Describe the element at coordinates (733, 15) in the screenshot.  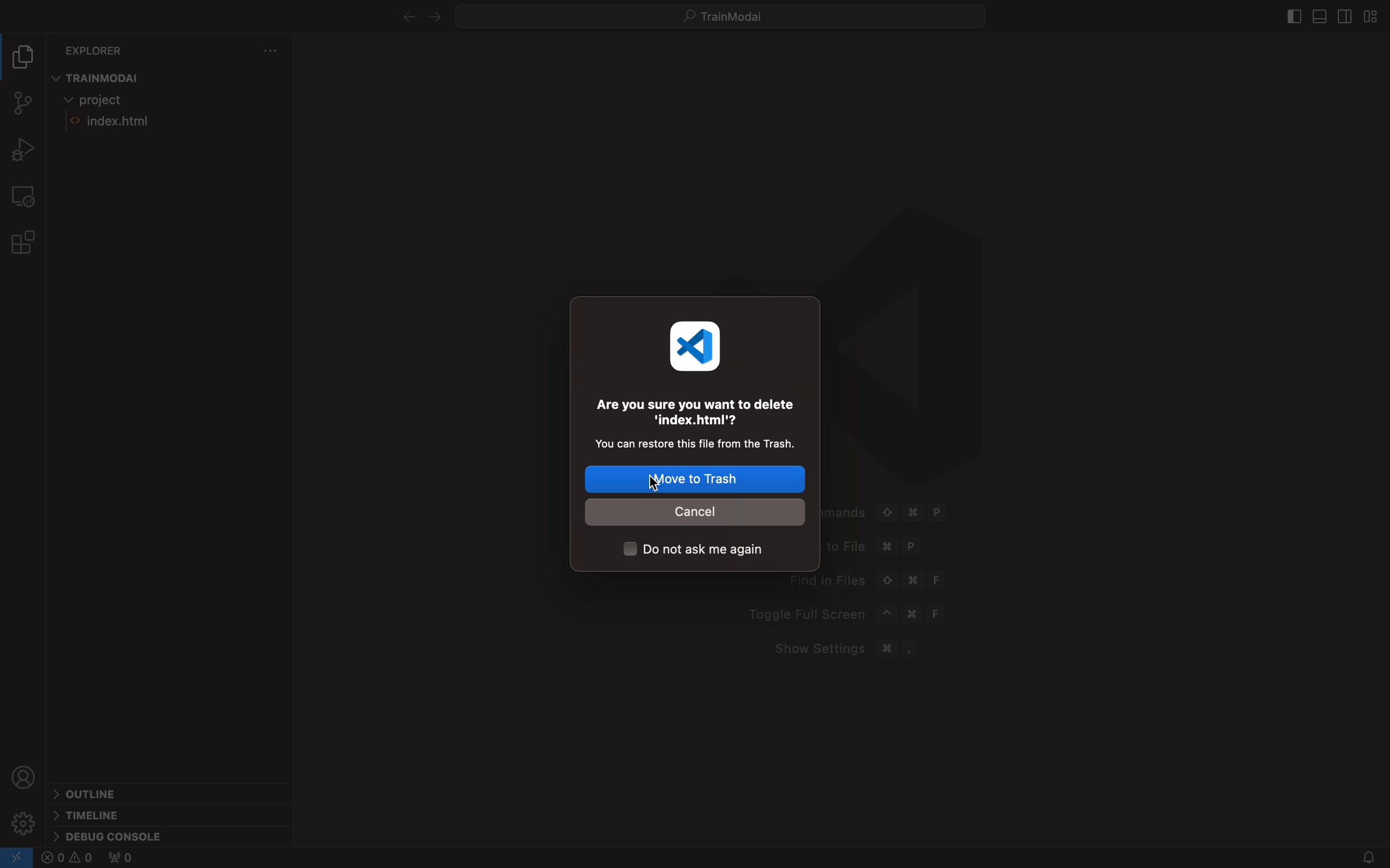
I see `quick toolbar` at that location.